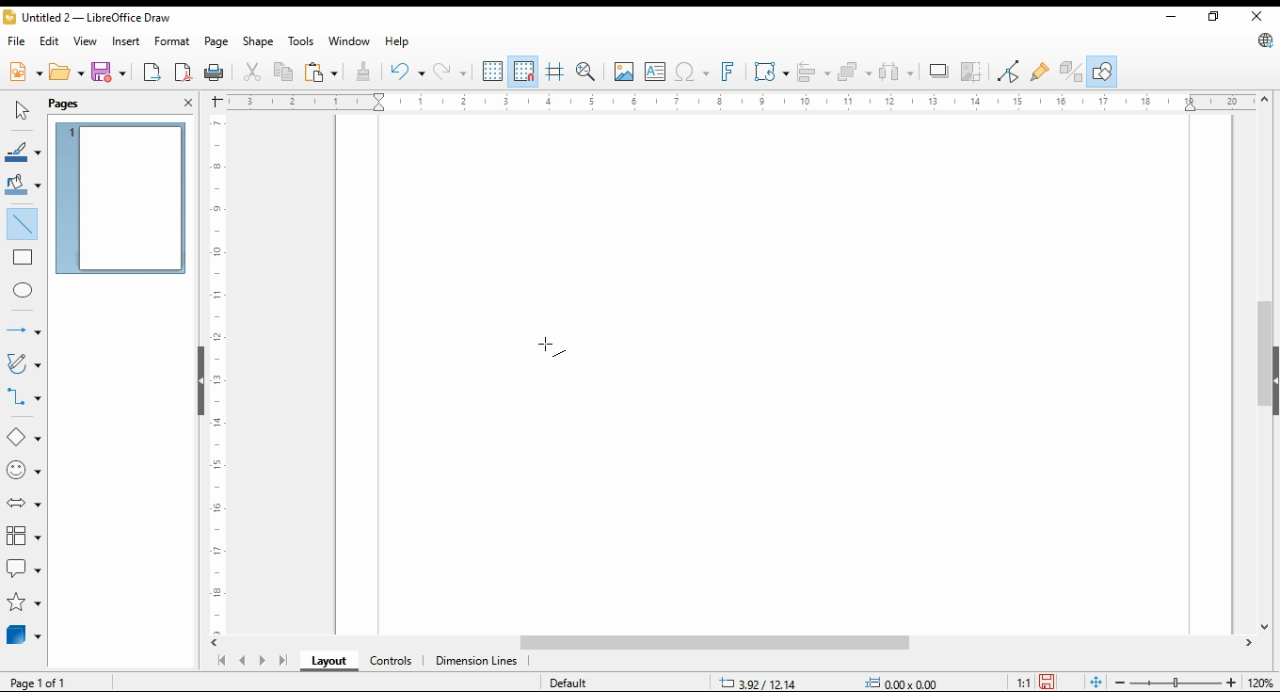 The width and height of the screenshot is (1280, 692). What do you see at coordinates (18, 40) in the screenshot?
I see `file` at bounding box center [18, 40].